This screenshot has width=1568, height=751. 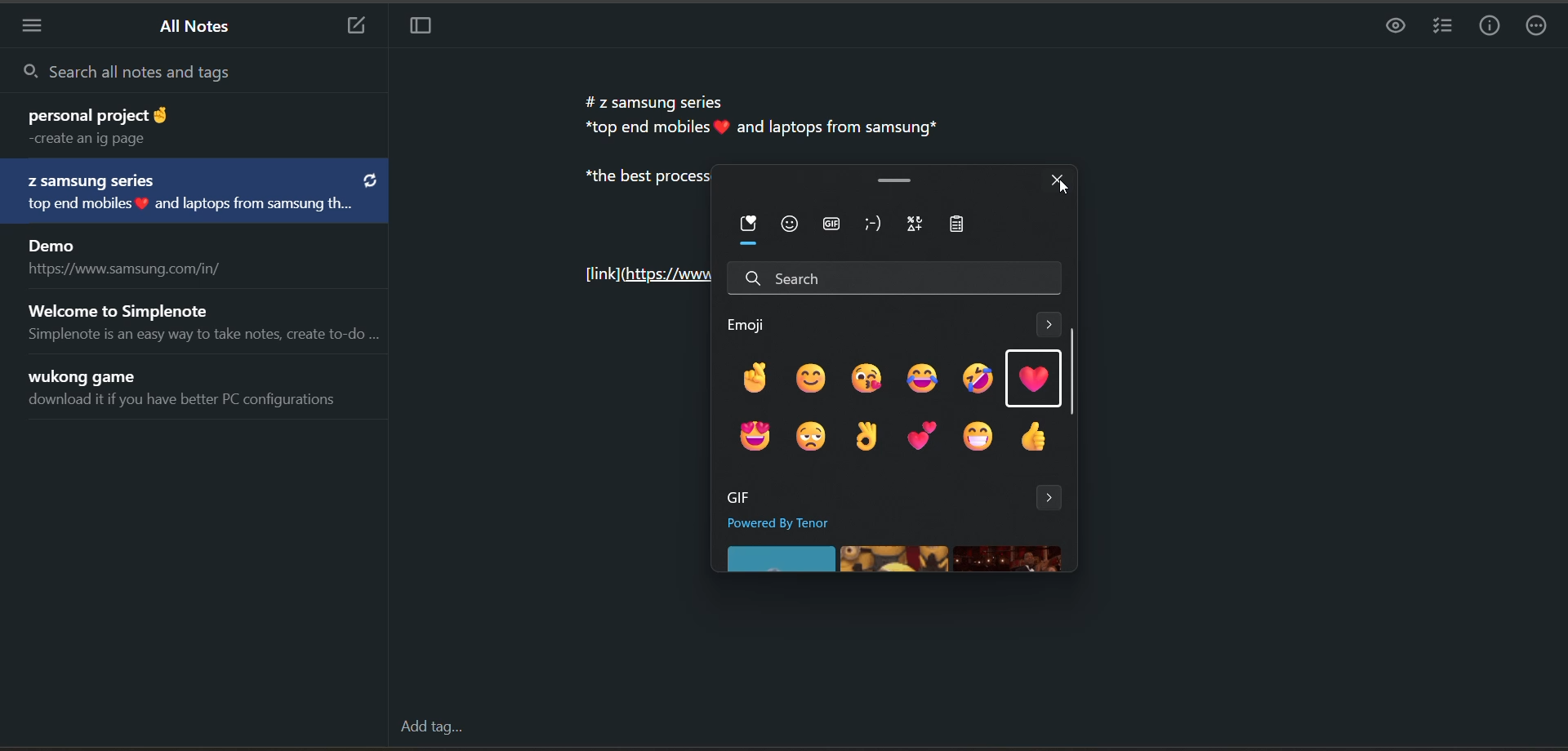 What do you see at coordinates (1052, 497) in the screenshot?
I see `see more` at bounding box center [1052, 497].